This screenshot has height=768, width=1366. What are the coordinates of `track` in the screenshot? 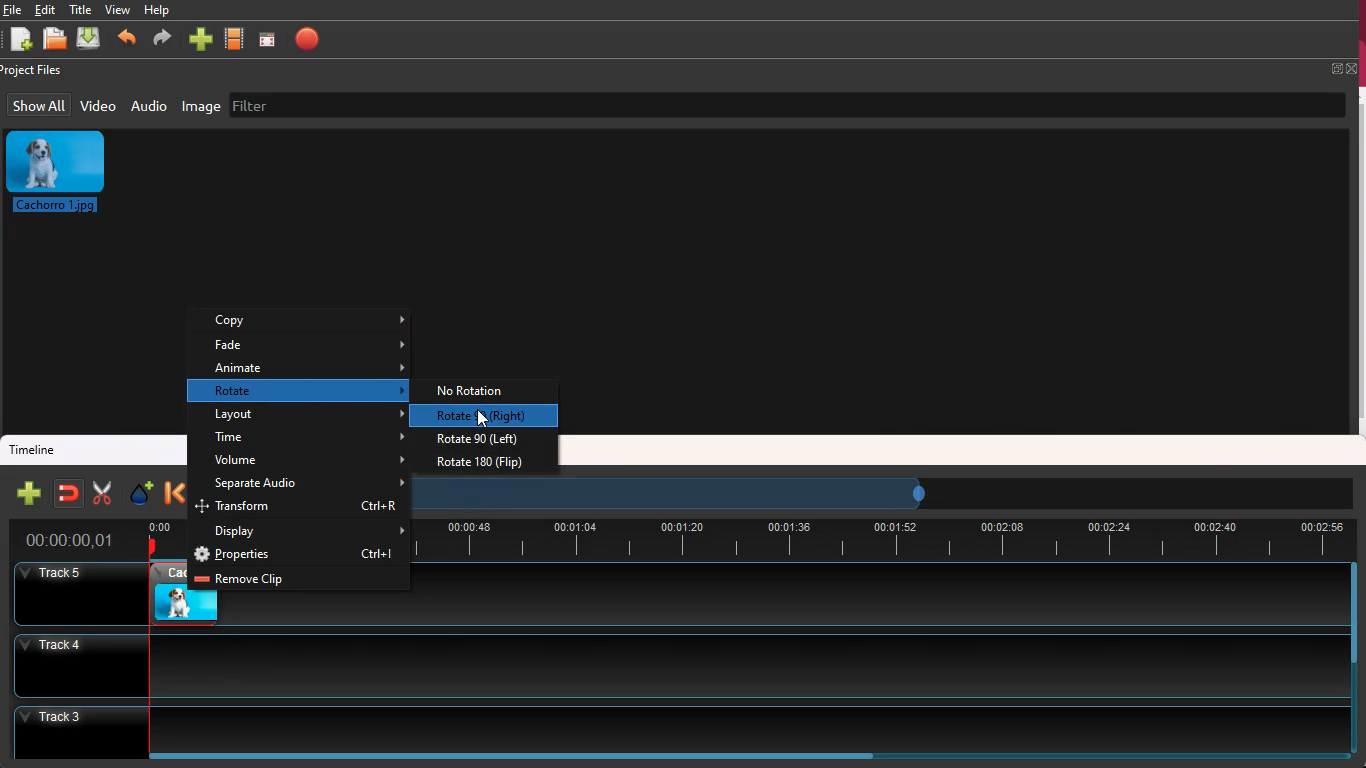 It's located at (668, 722).